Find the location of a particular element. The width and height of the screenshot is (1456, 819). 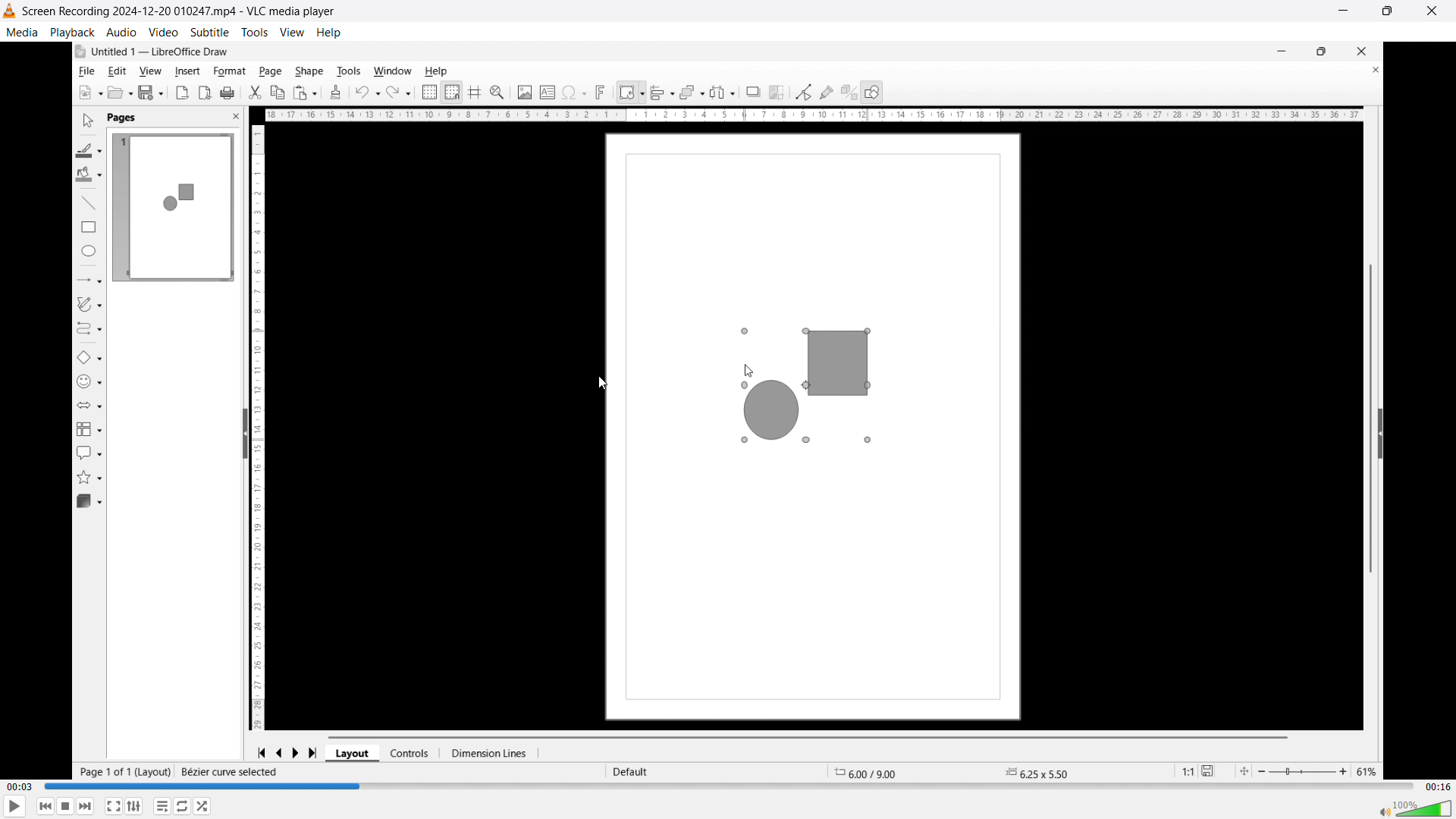

cursor is located at coordinates (602, 382).